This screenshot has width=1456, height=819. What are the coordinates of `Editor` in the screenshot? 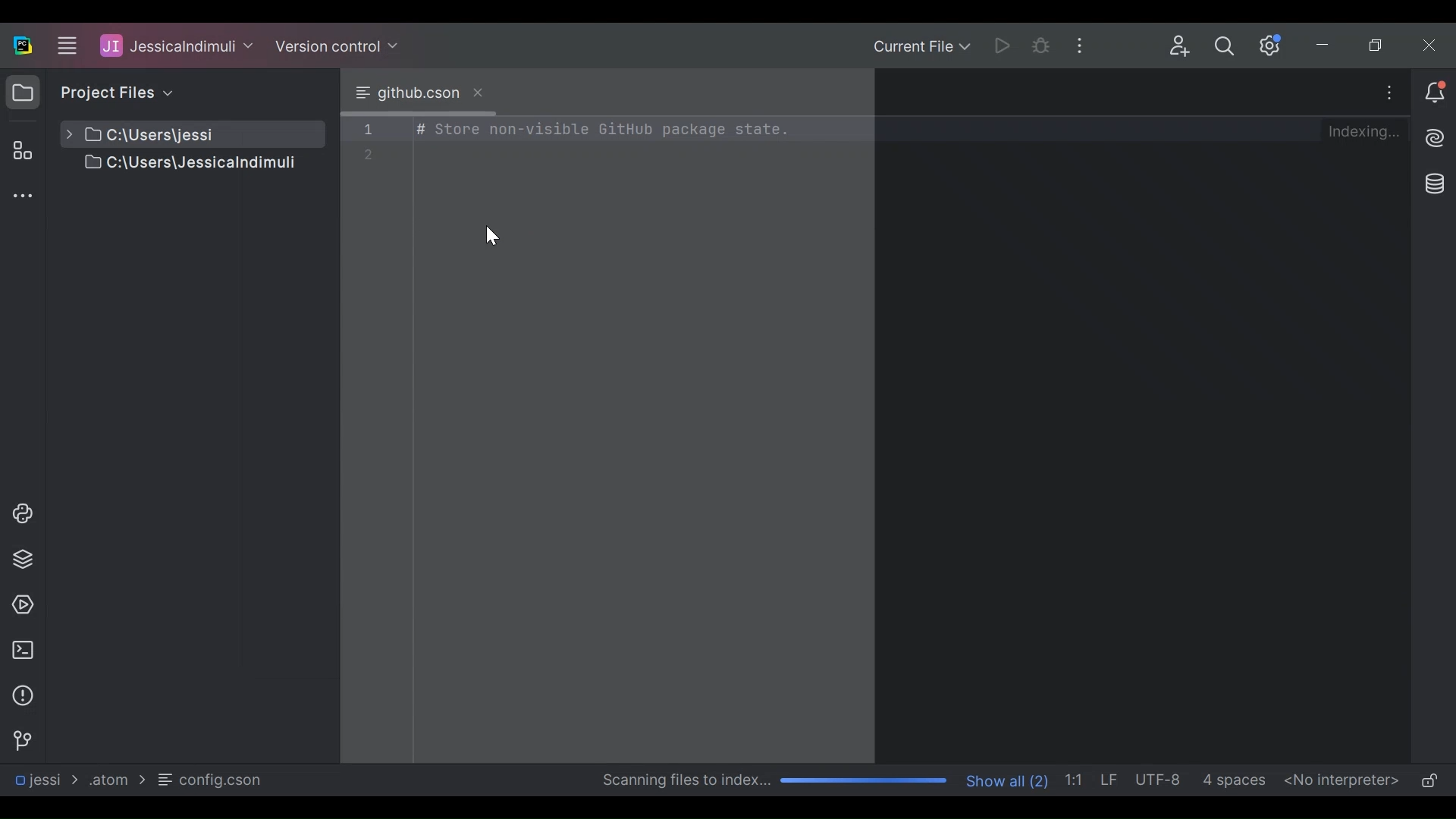 It's located at (831, 437).